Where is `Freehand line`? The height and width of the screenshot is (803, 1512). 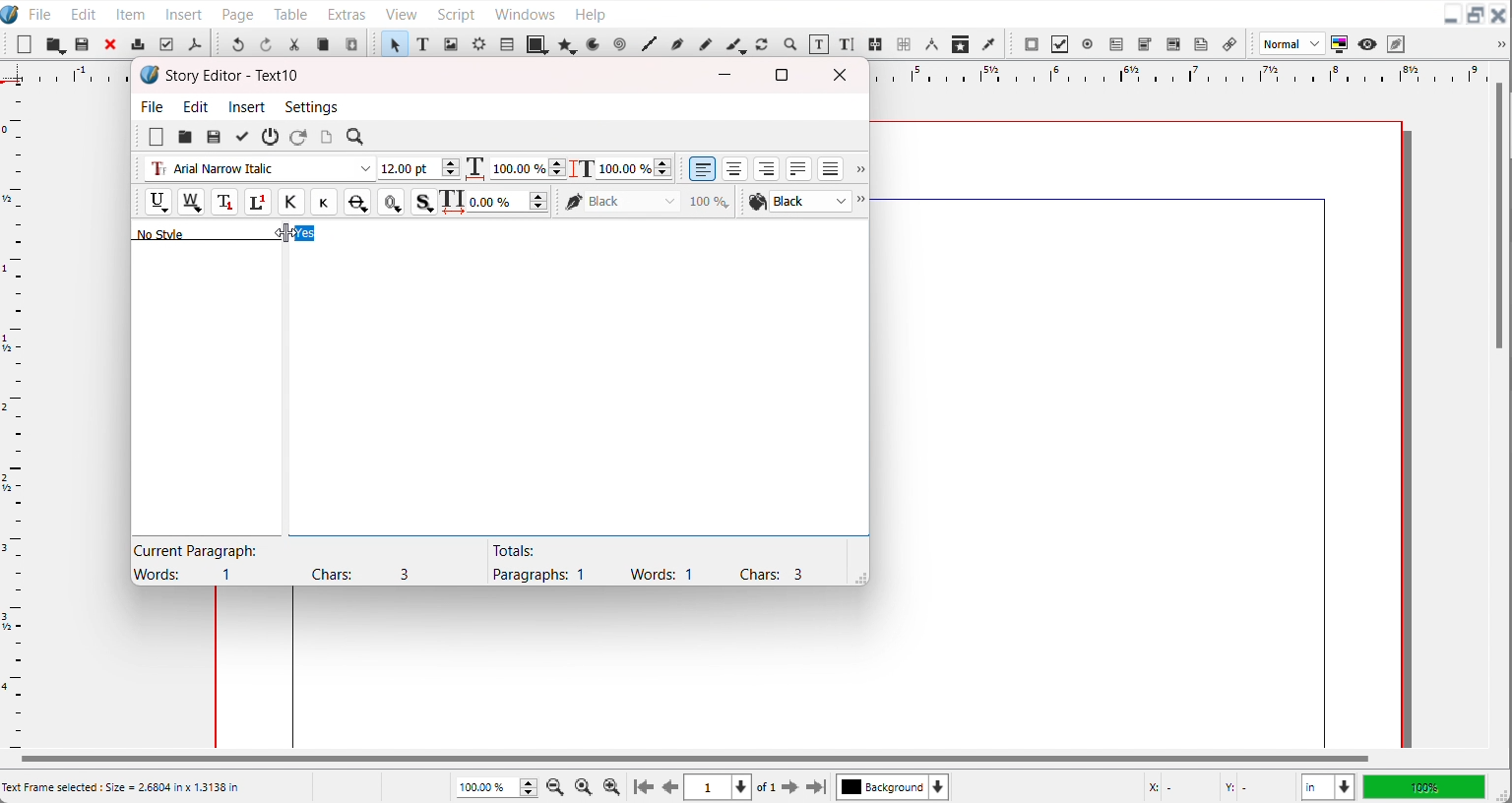
Freehand line is located at coordinates (704, 43).